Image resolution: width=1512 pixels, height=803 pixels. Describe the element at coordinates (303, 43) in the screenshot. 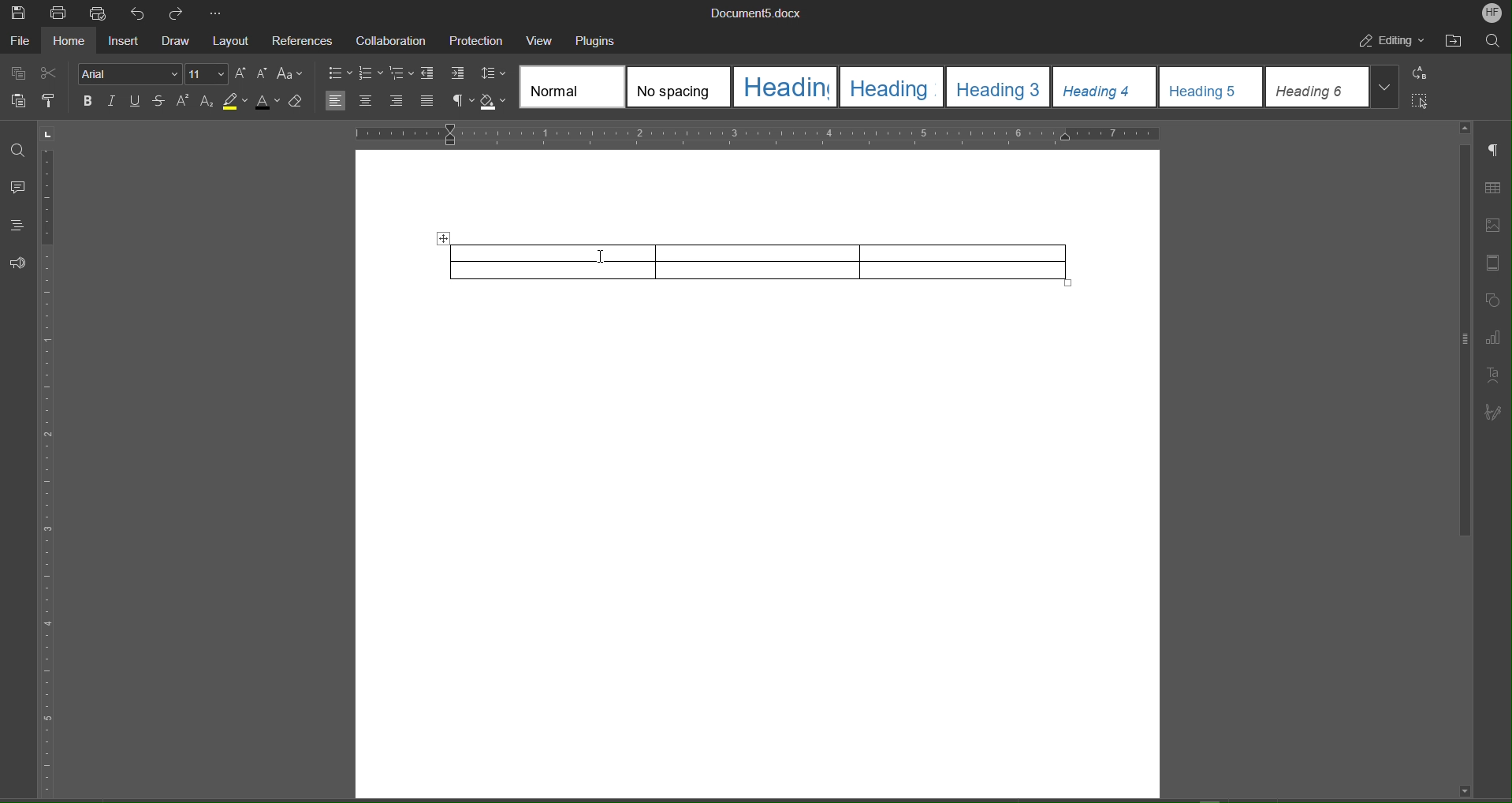

I see `References` at that location.